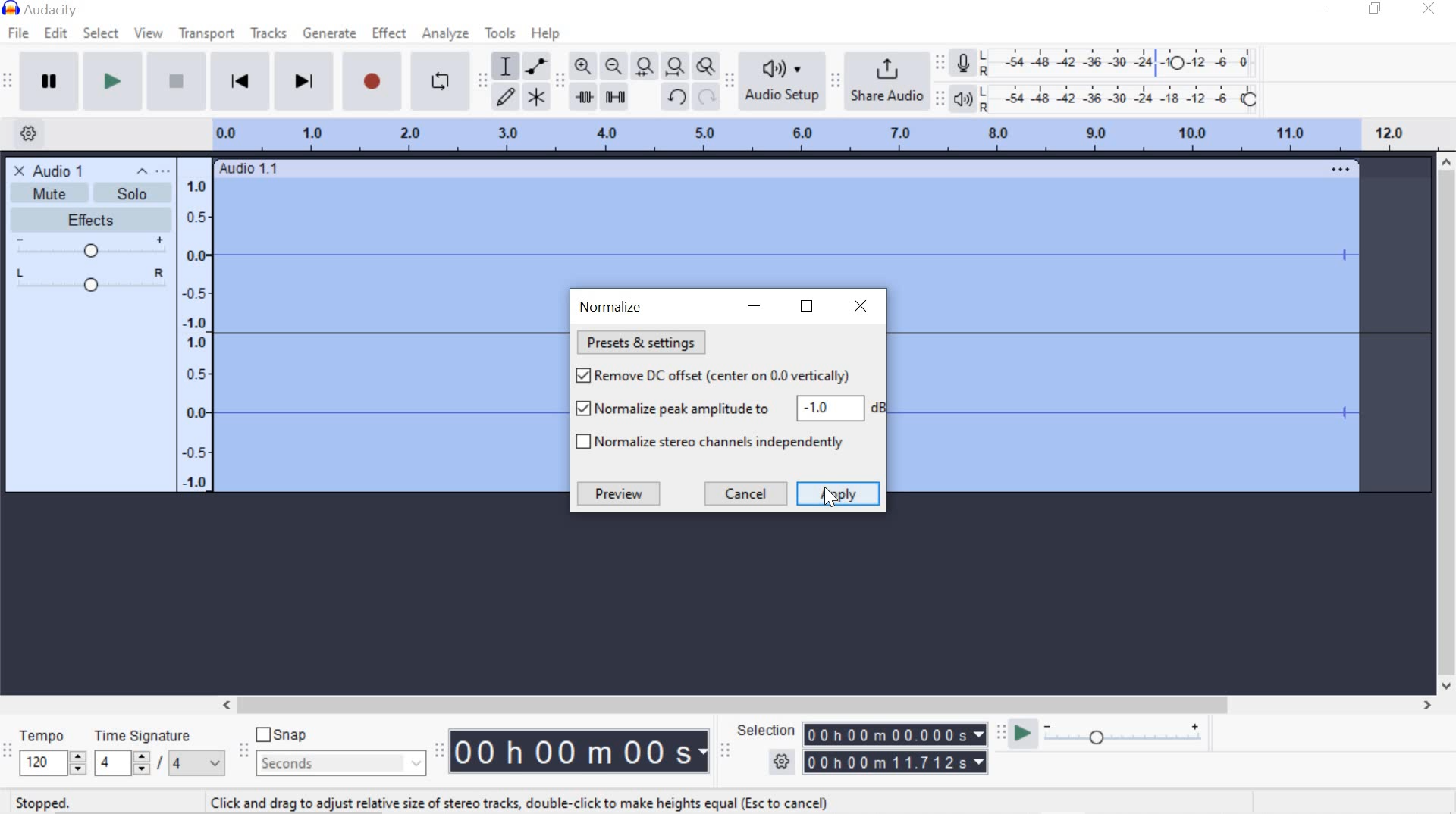 The image size is (1456, 814). I want to click on preview, so click(623, 493).